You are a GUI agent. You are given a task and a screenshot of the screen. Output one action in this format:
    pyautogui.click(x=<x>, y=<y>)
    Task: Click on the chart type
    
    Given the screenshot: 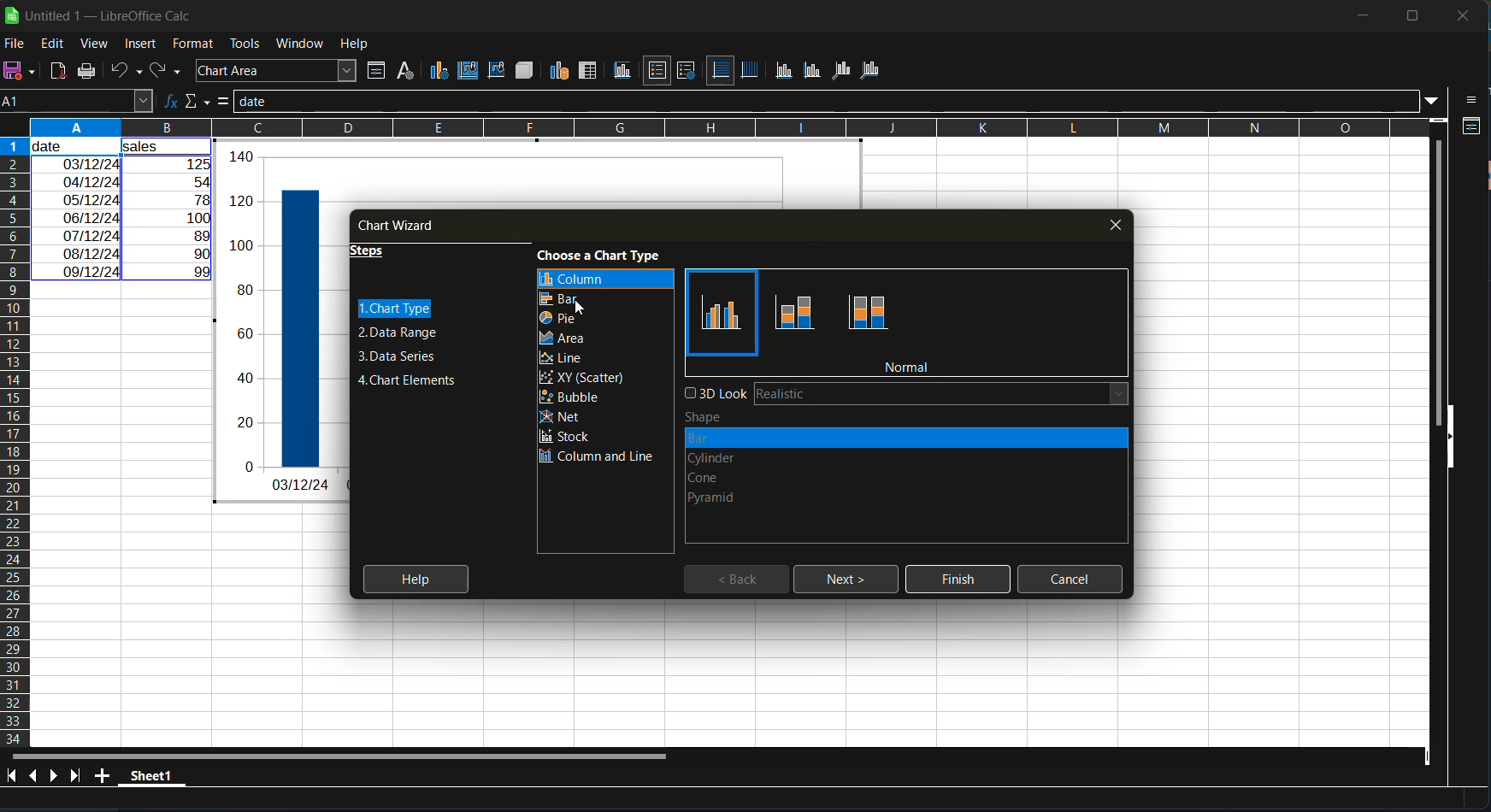 What is the action you would take?
    pyautogui.click(x=439, y=70)
    